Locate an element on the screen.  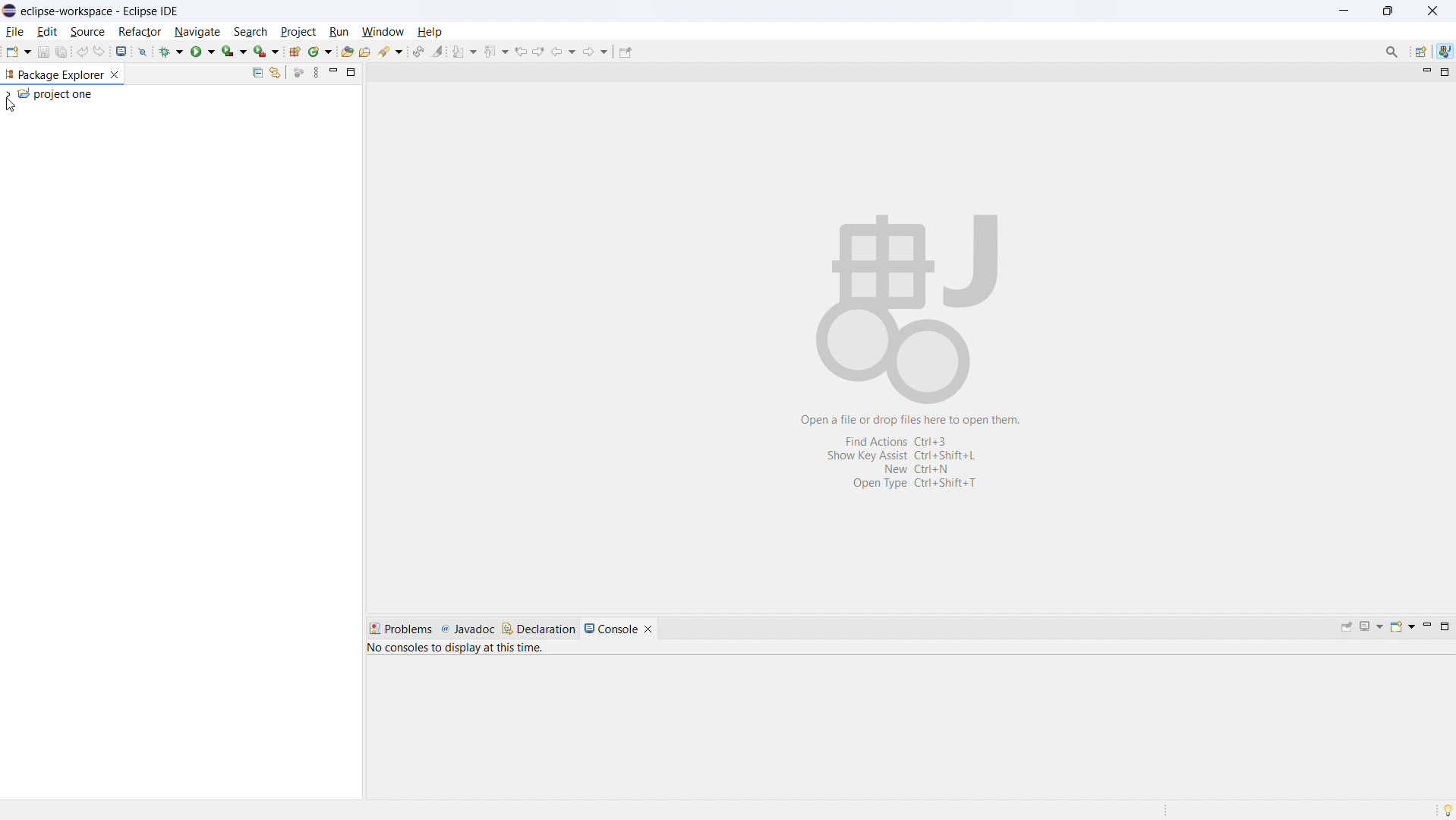
open console is located at coordinates (121, 51).